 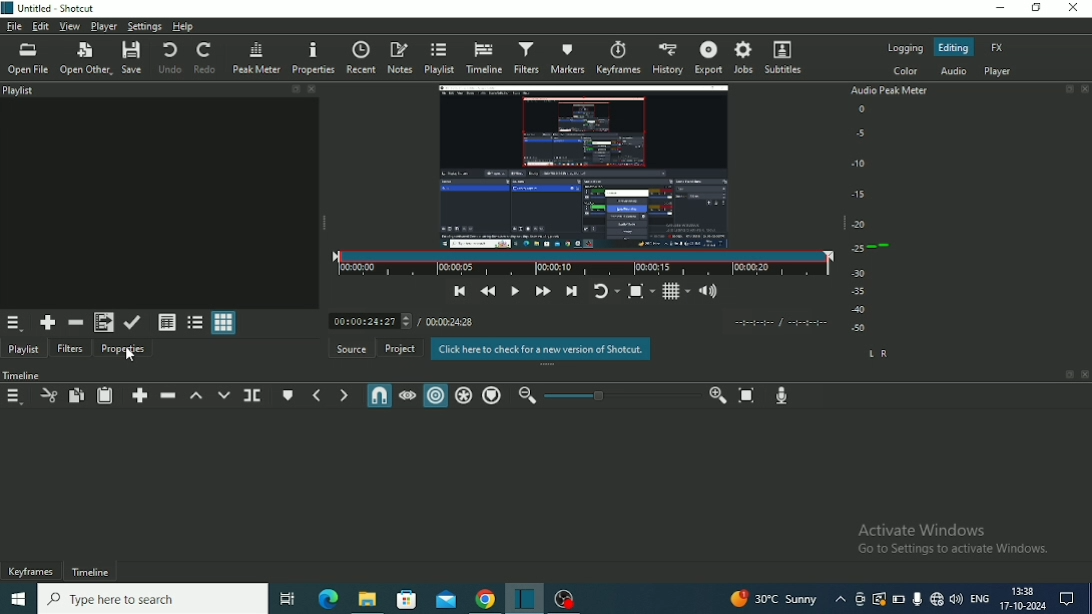 I want to click on Record audio, so click(x=781, y=396).